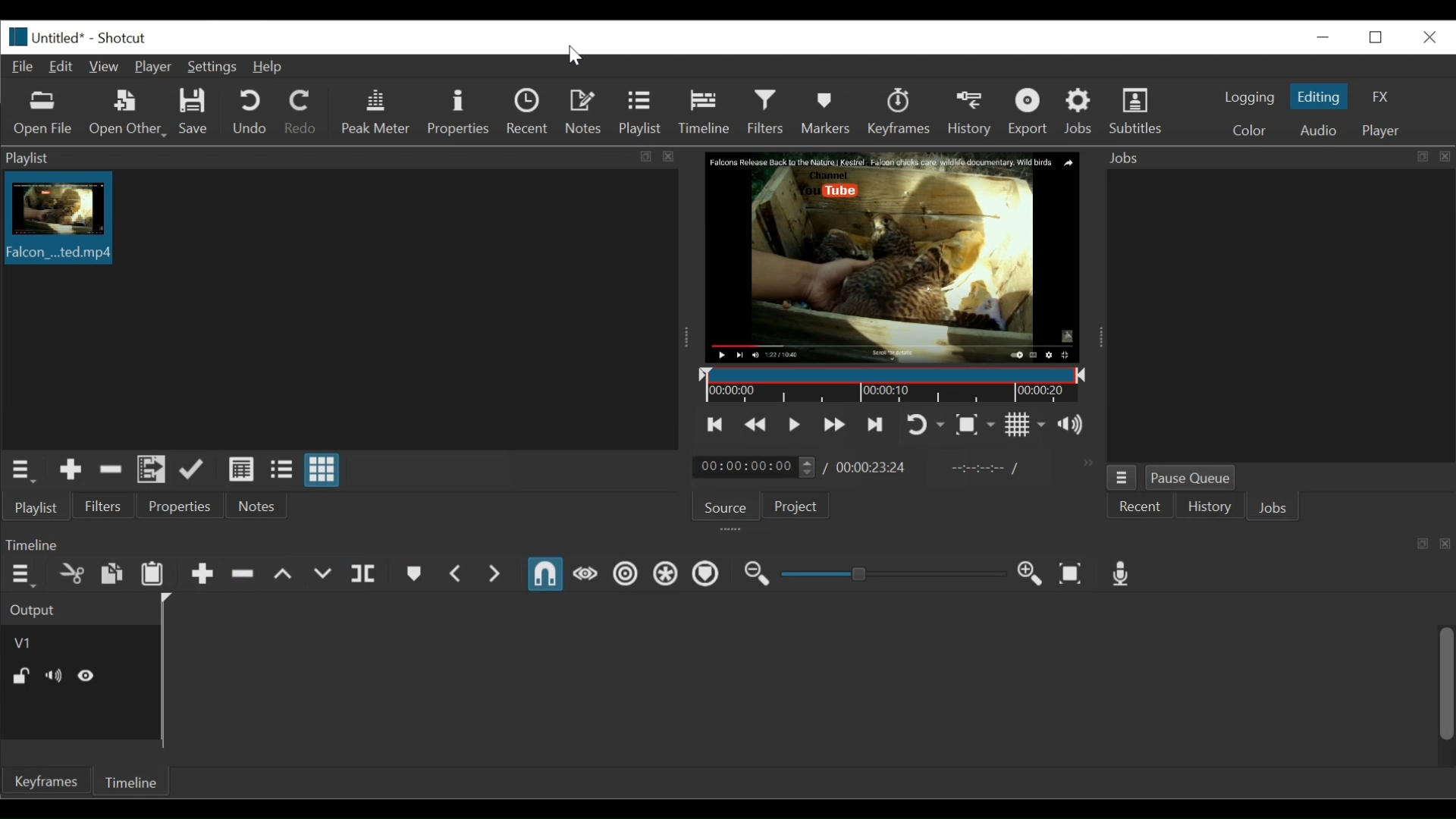 The width and height of the screenshot is (1456, 819). Describe the element at coordinates (190, 472) in the screenshot. I see `Update` at that location.